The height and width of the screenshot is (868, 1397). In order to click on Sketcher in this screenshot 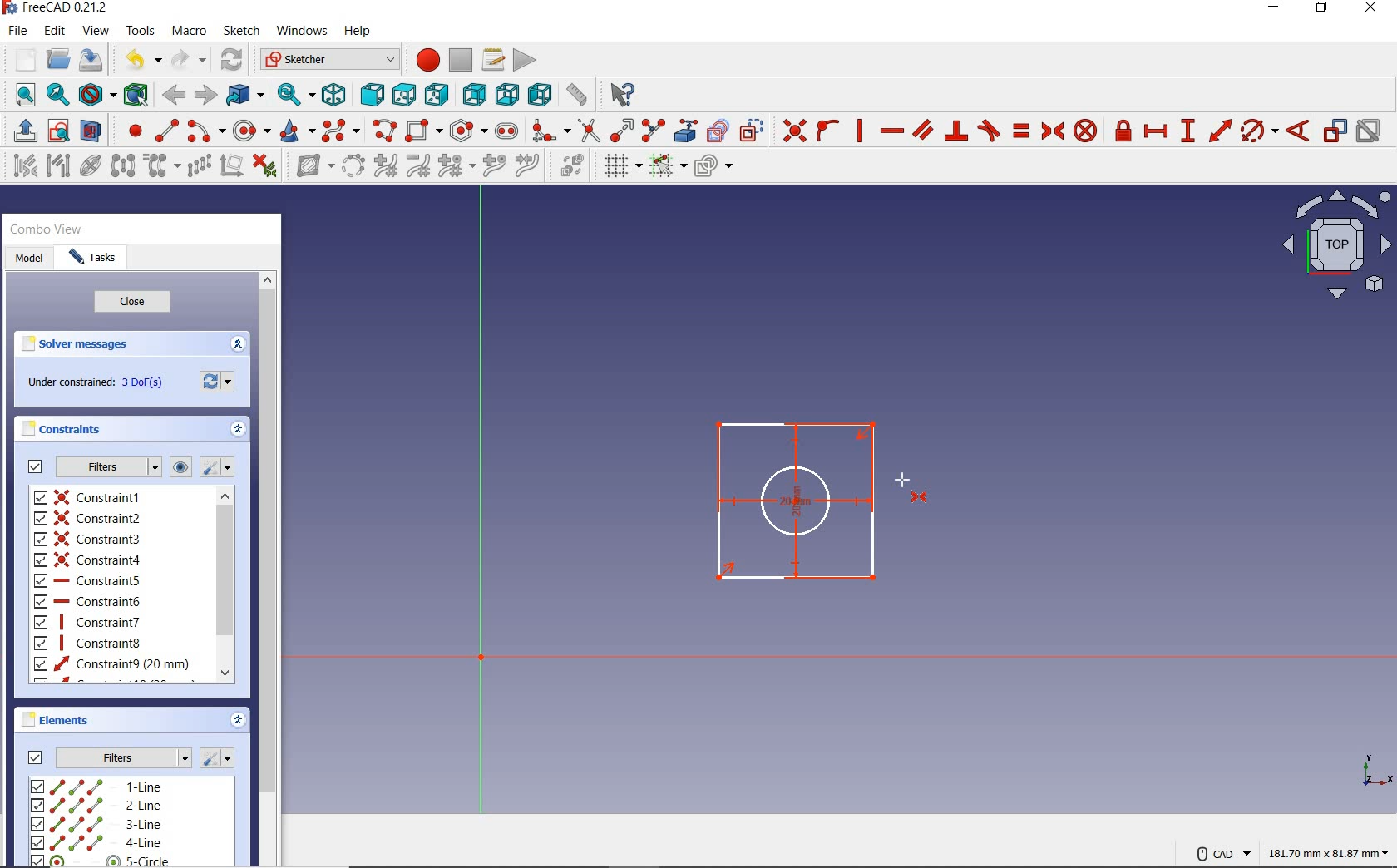, I will do `click(329, 60)`.